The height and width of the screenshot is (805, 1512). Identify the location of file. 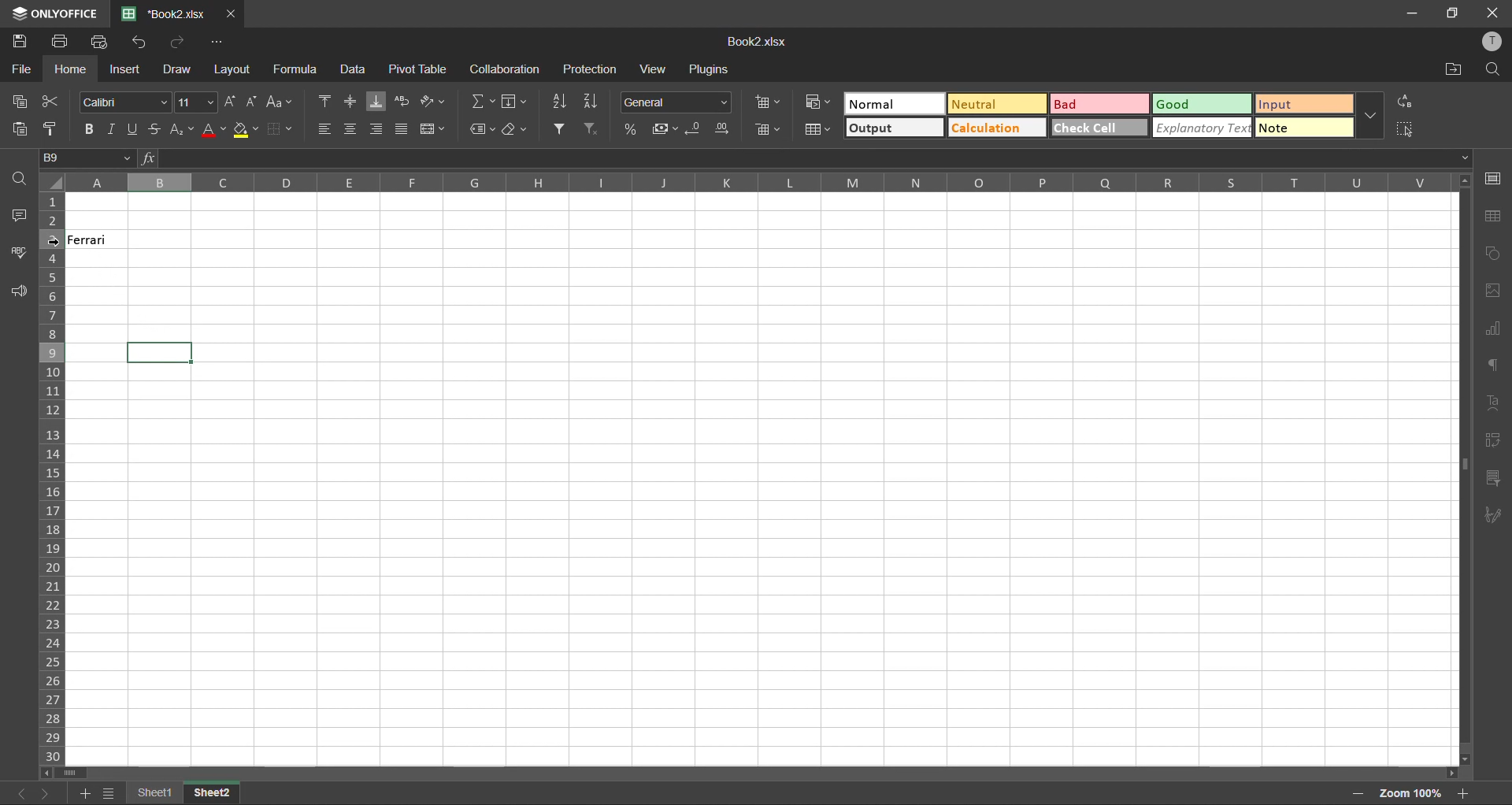
(23, 69).